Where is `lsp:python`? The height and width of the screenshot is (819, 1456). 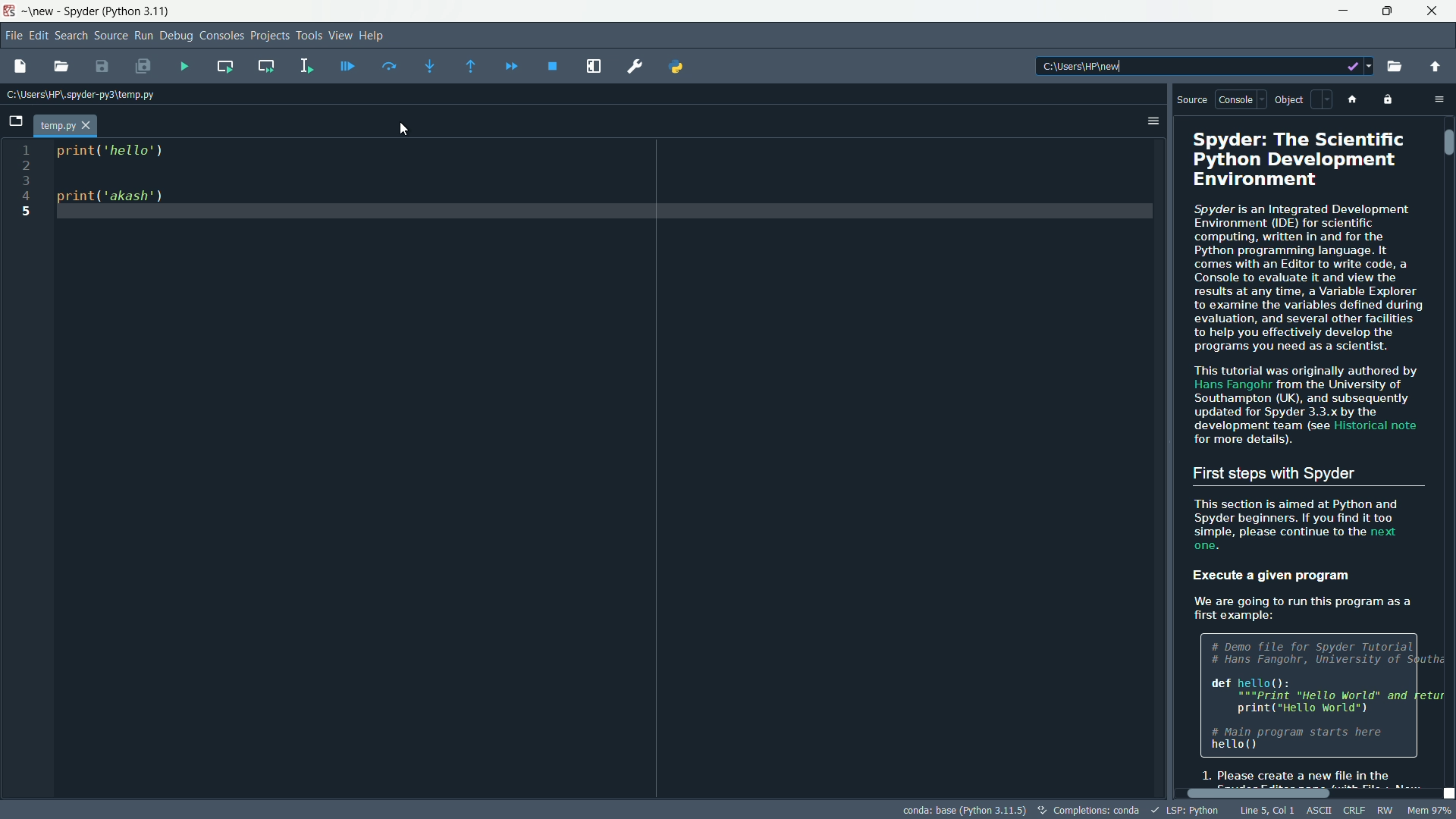
lsp:python is located at coordinates (1185, 810).